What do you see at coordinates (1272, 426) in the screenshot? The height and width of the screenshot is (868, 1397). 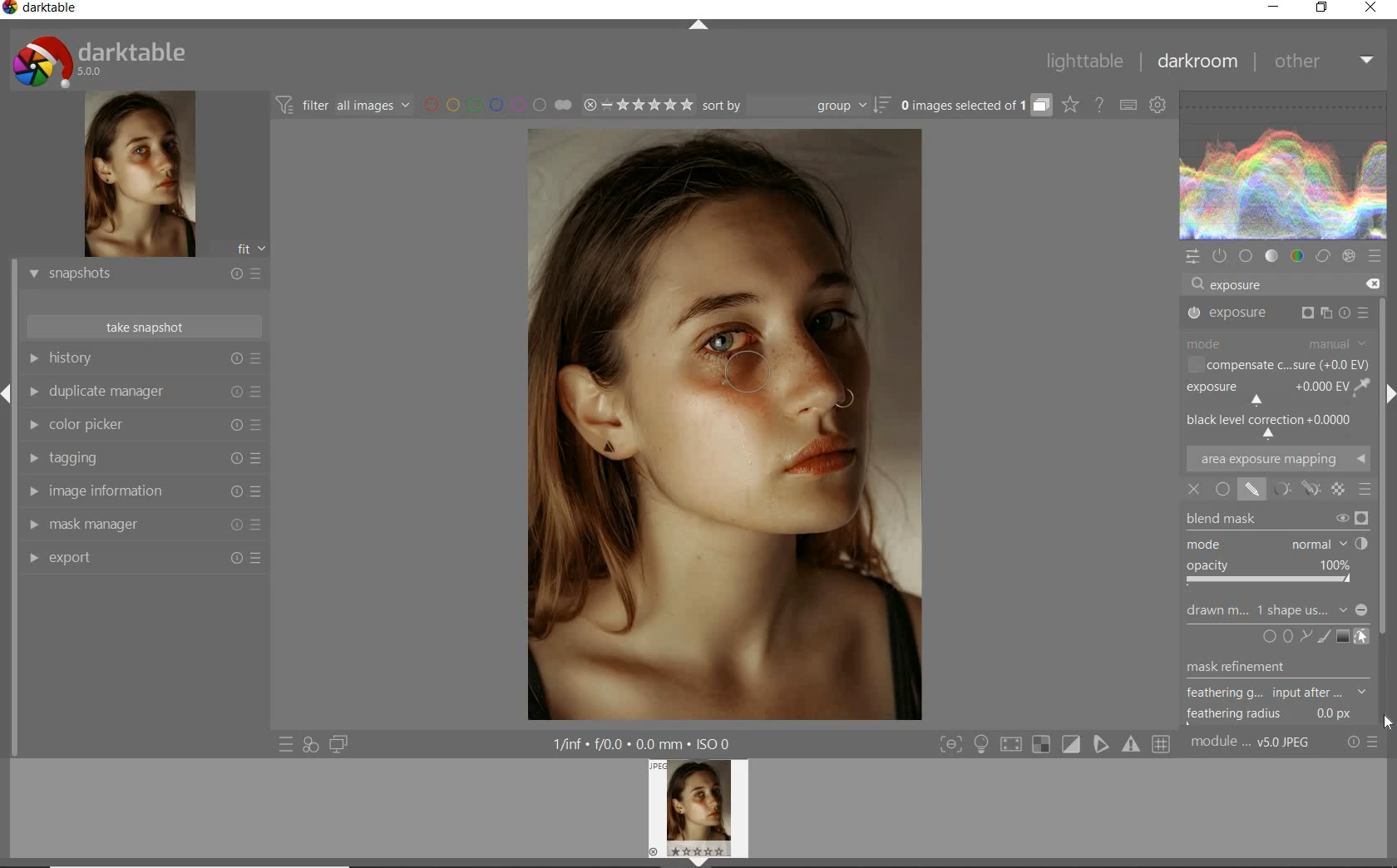 I see `BLACK LEVEL CORRECTION` at bounding box center [1272, 426].